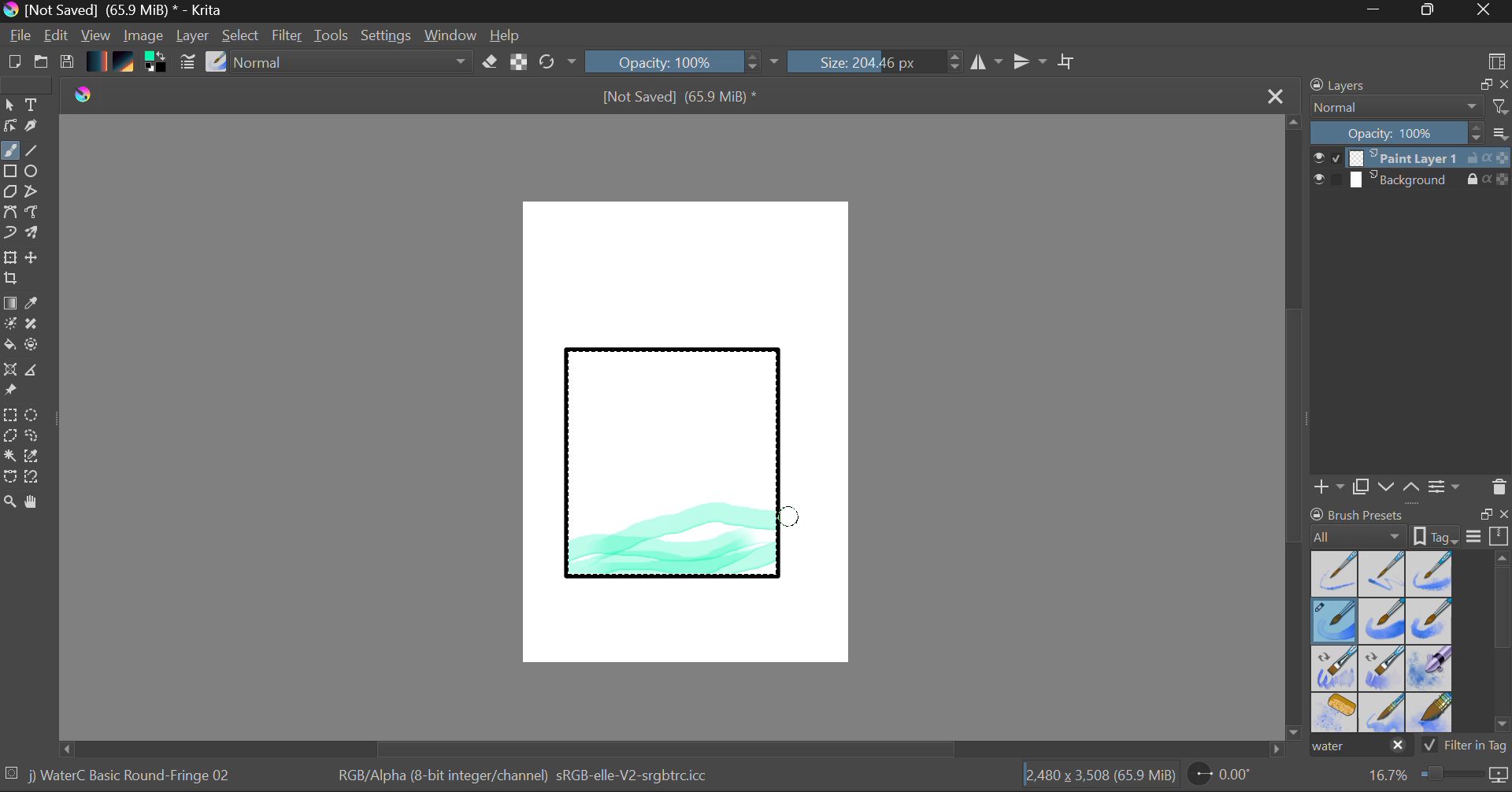  I want to click on Pan, so click(37, 505).